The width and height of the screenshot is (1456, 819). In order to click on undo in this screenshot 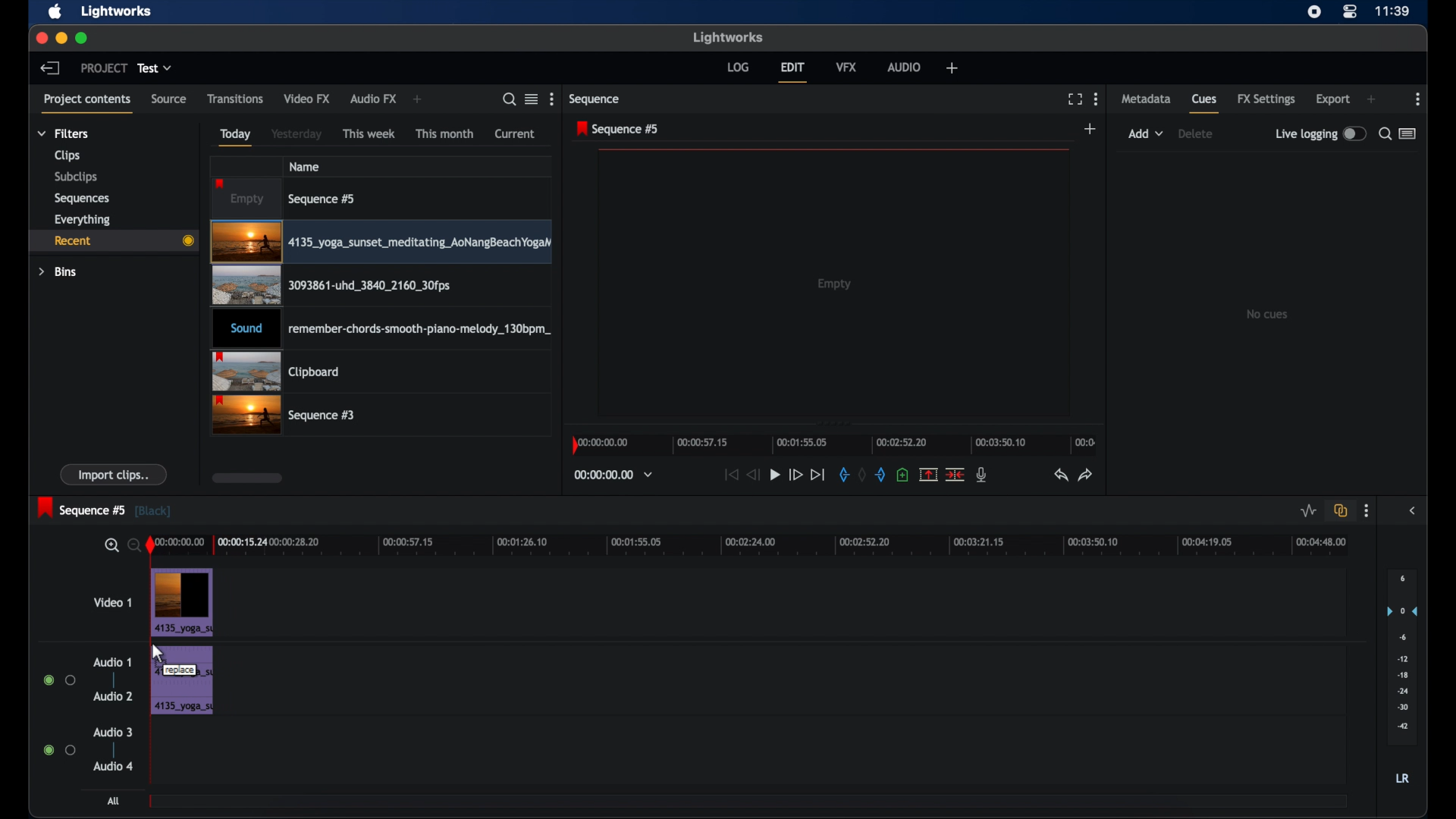, I will do `click(1059, 475)`.